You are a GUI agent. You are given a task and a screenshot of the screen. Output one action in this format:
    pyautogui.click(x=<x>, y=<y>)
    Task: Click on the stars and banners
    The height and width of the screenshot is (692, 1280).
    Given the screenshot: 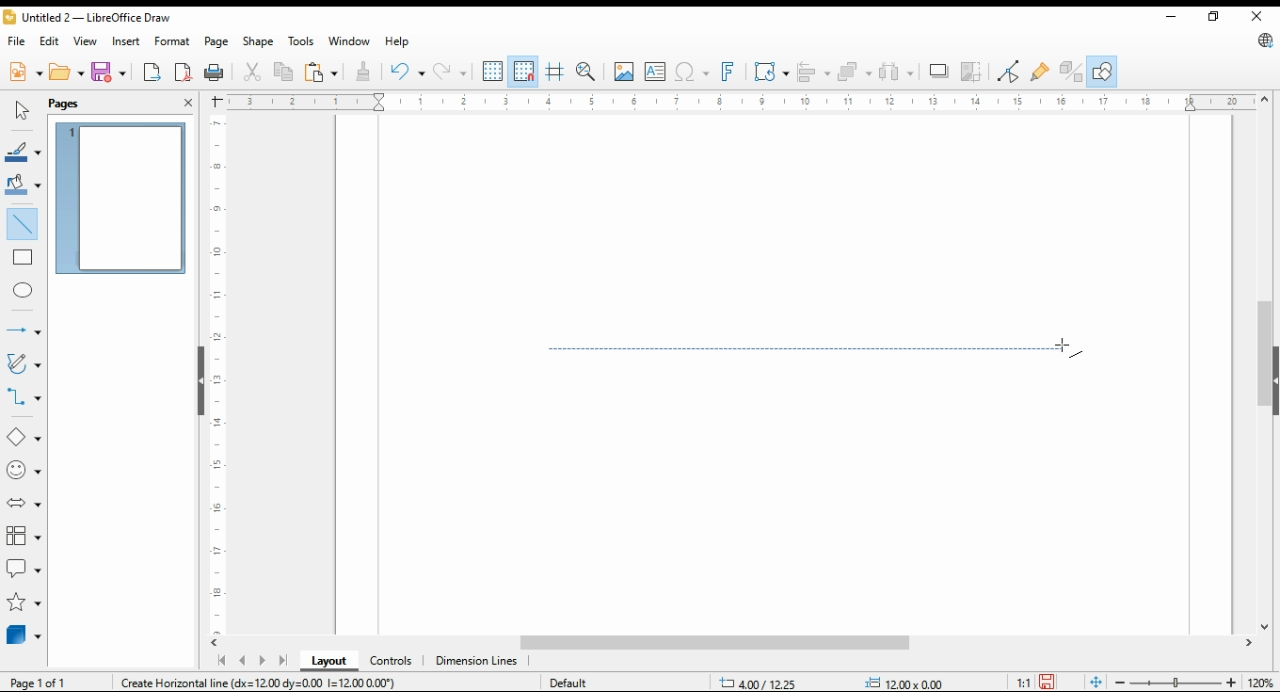 What is the action you would take?
    pyautogui.click(x=24, y=602)
    